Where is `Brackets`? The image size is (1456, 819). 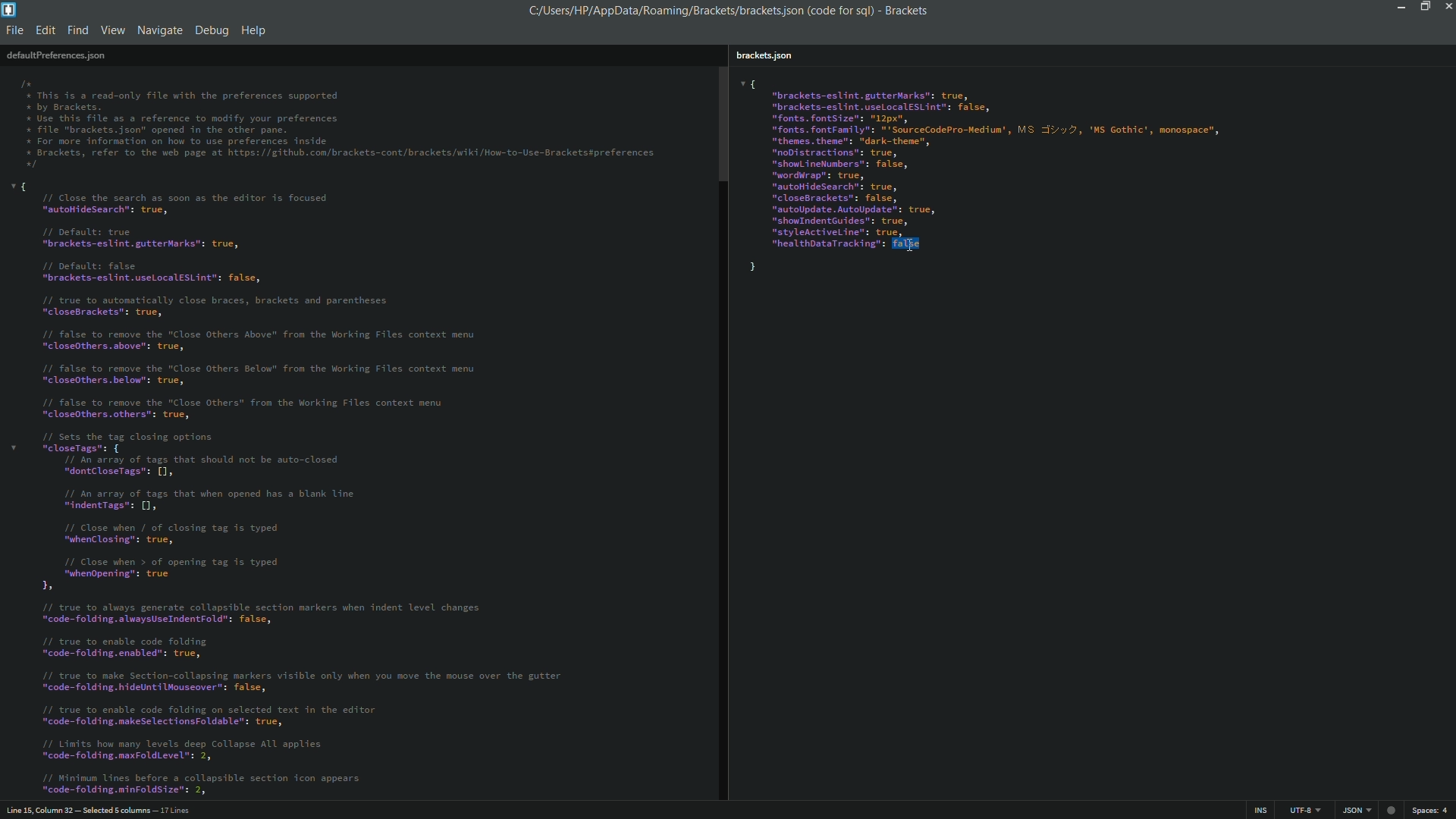
Brackets is located at coordinates (904, 11).